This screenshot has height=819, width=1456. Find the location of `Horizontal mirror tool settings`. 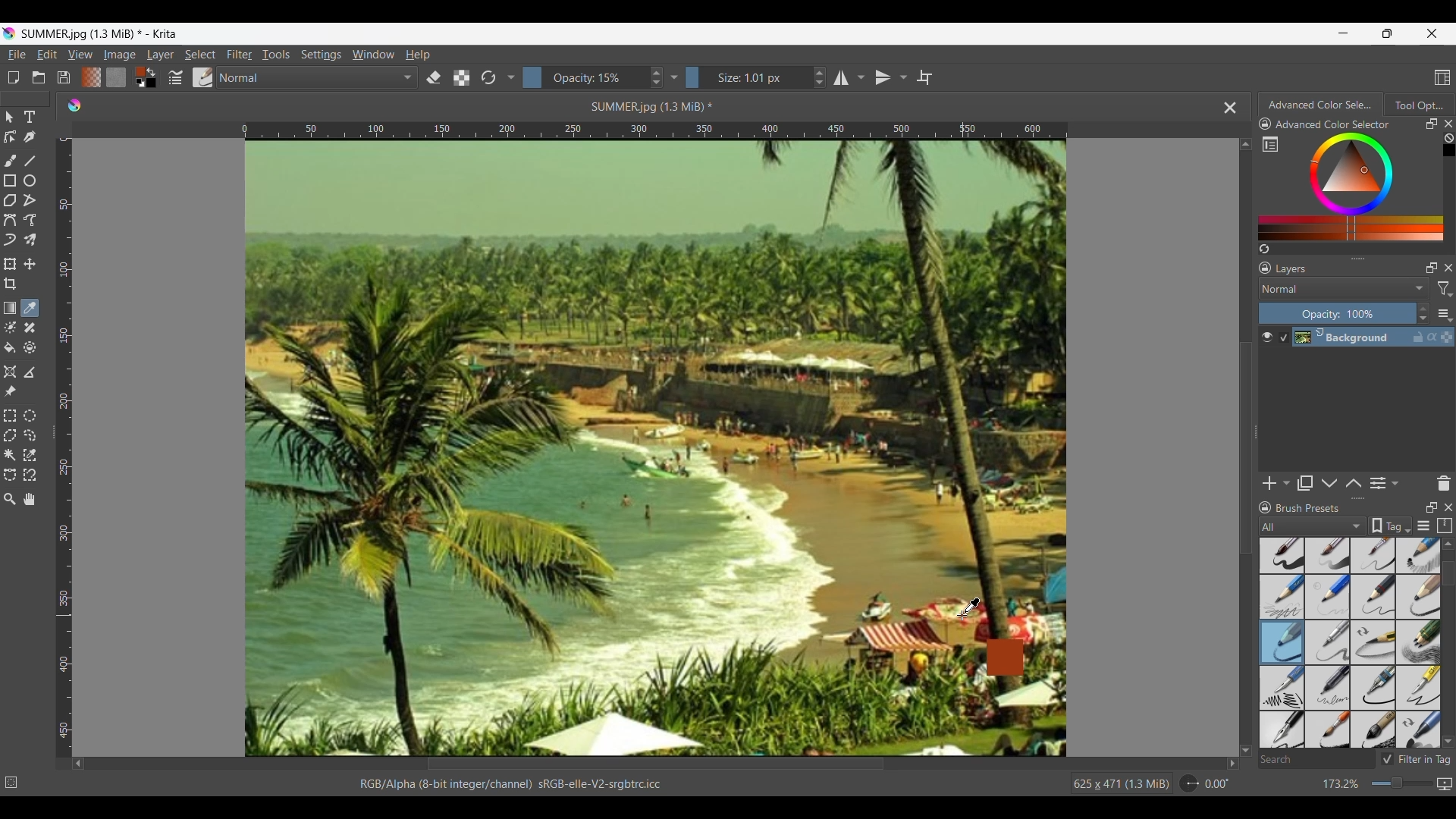

Horizontal mirror tool settings is located at coordinates (860, 77).